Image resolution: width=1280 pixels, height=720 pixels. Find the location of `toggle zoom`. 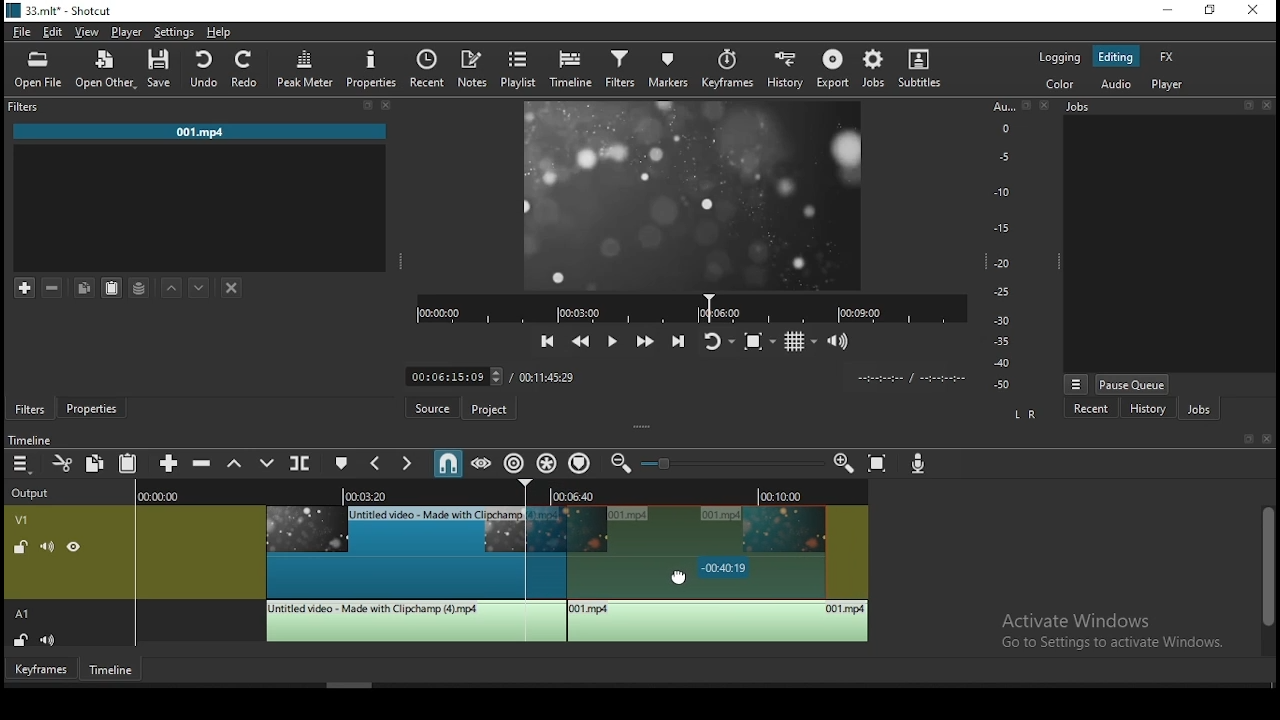

toggle zoom is located at coordinates (757, 339).